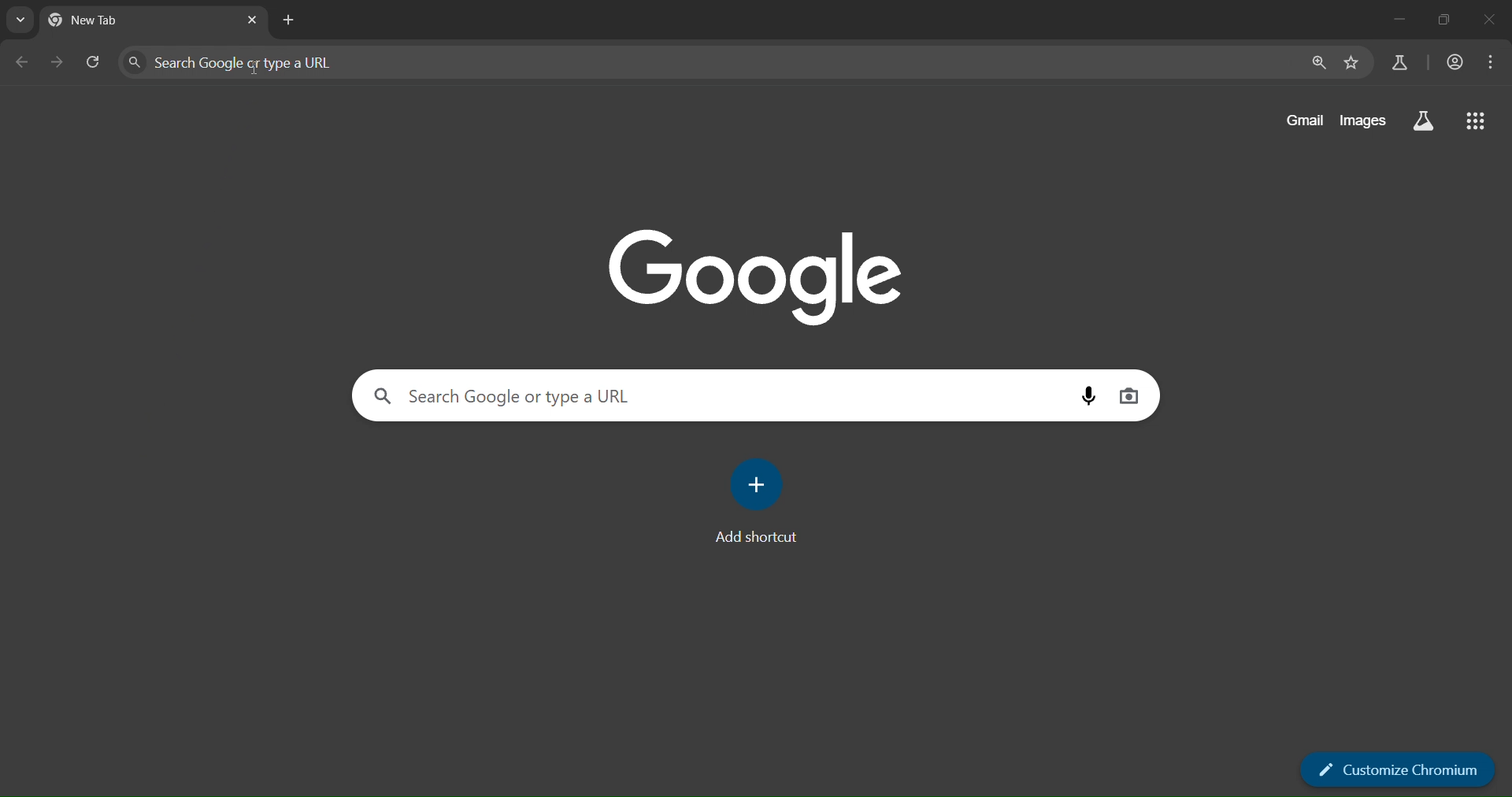  I want to click on go back 1 page, so click(25, 64).